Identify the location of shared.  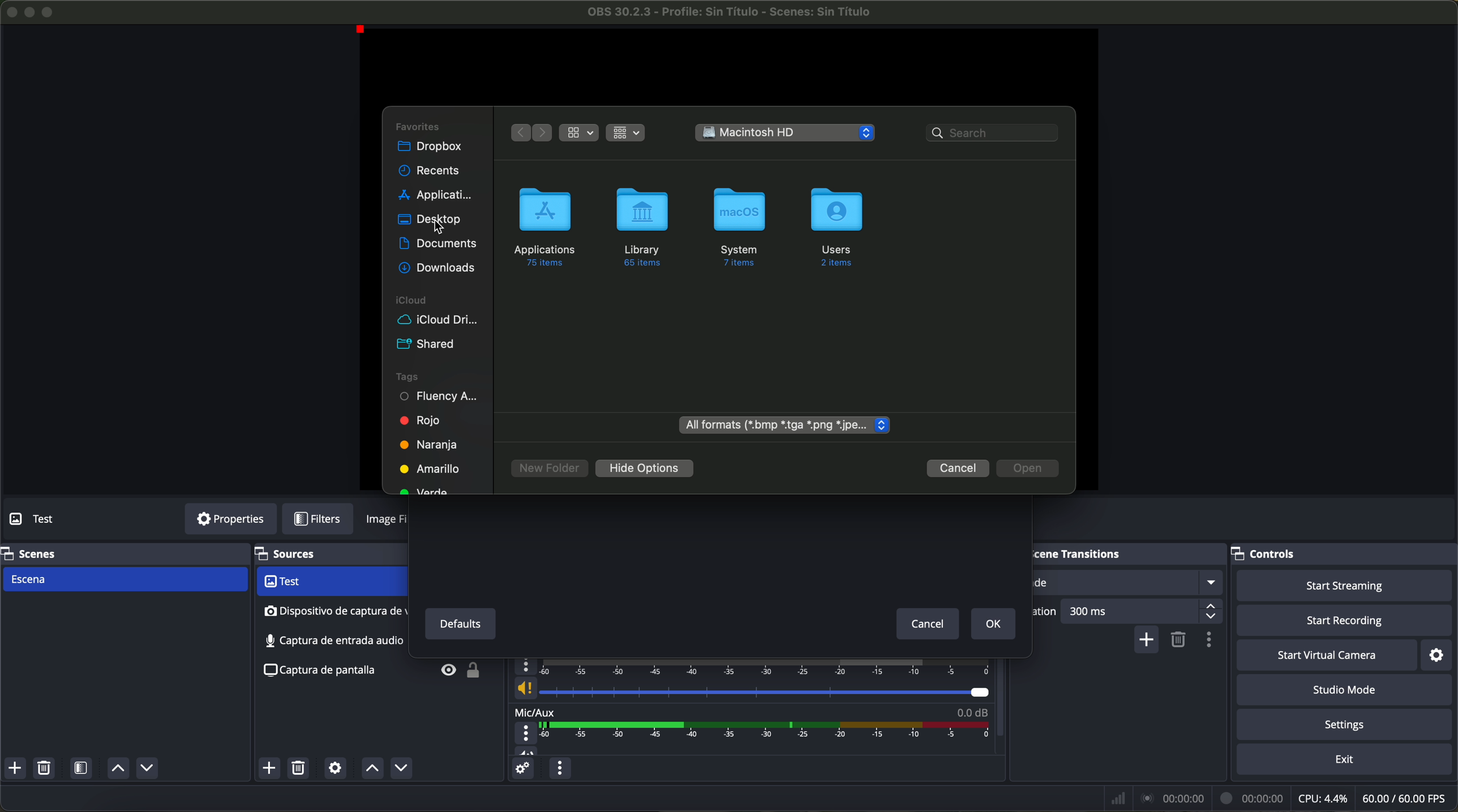
(424, 344).